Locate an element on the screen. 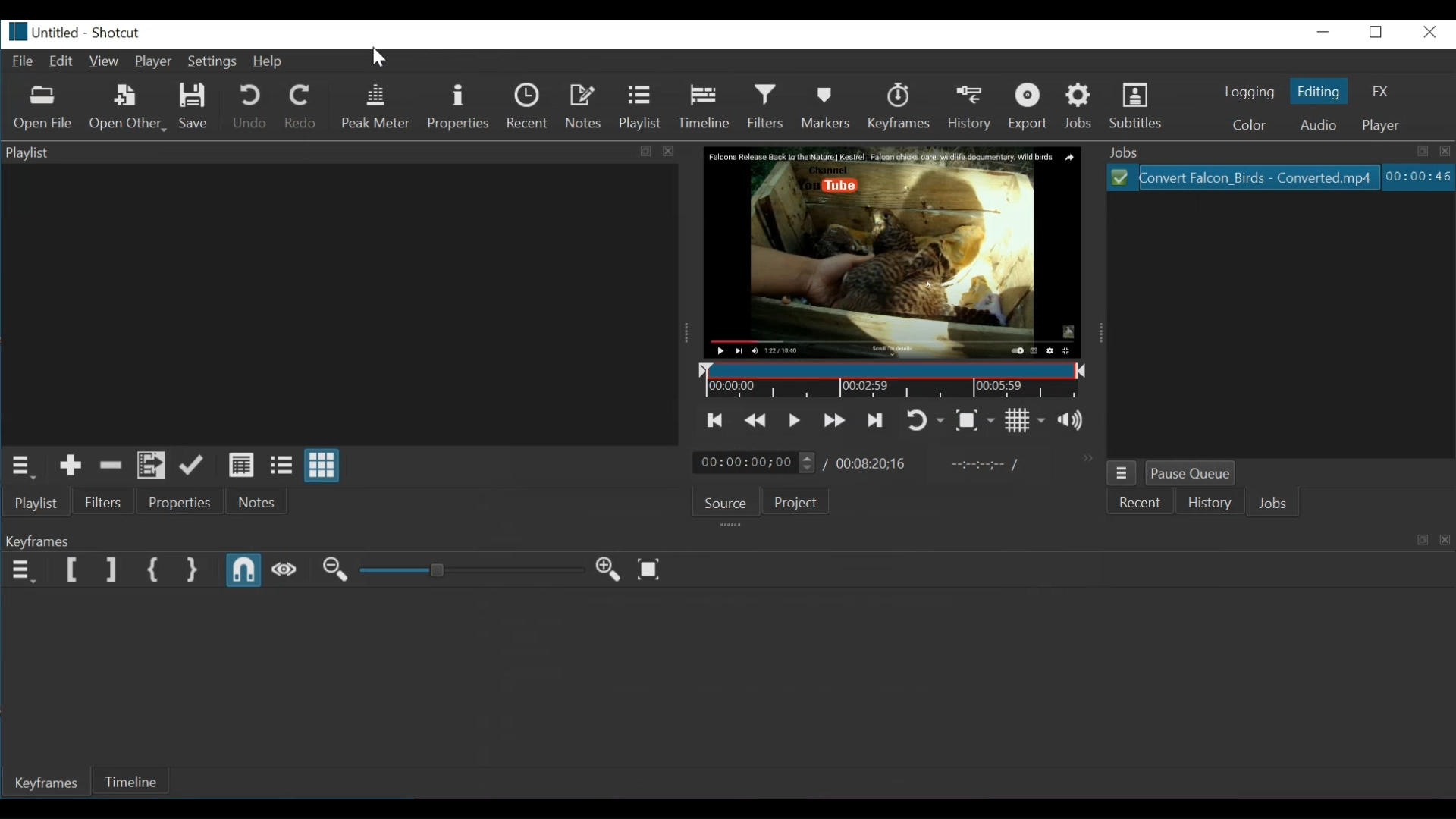 The image size is (1456, 819). Properties is located at coordinates (461, 108).